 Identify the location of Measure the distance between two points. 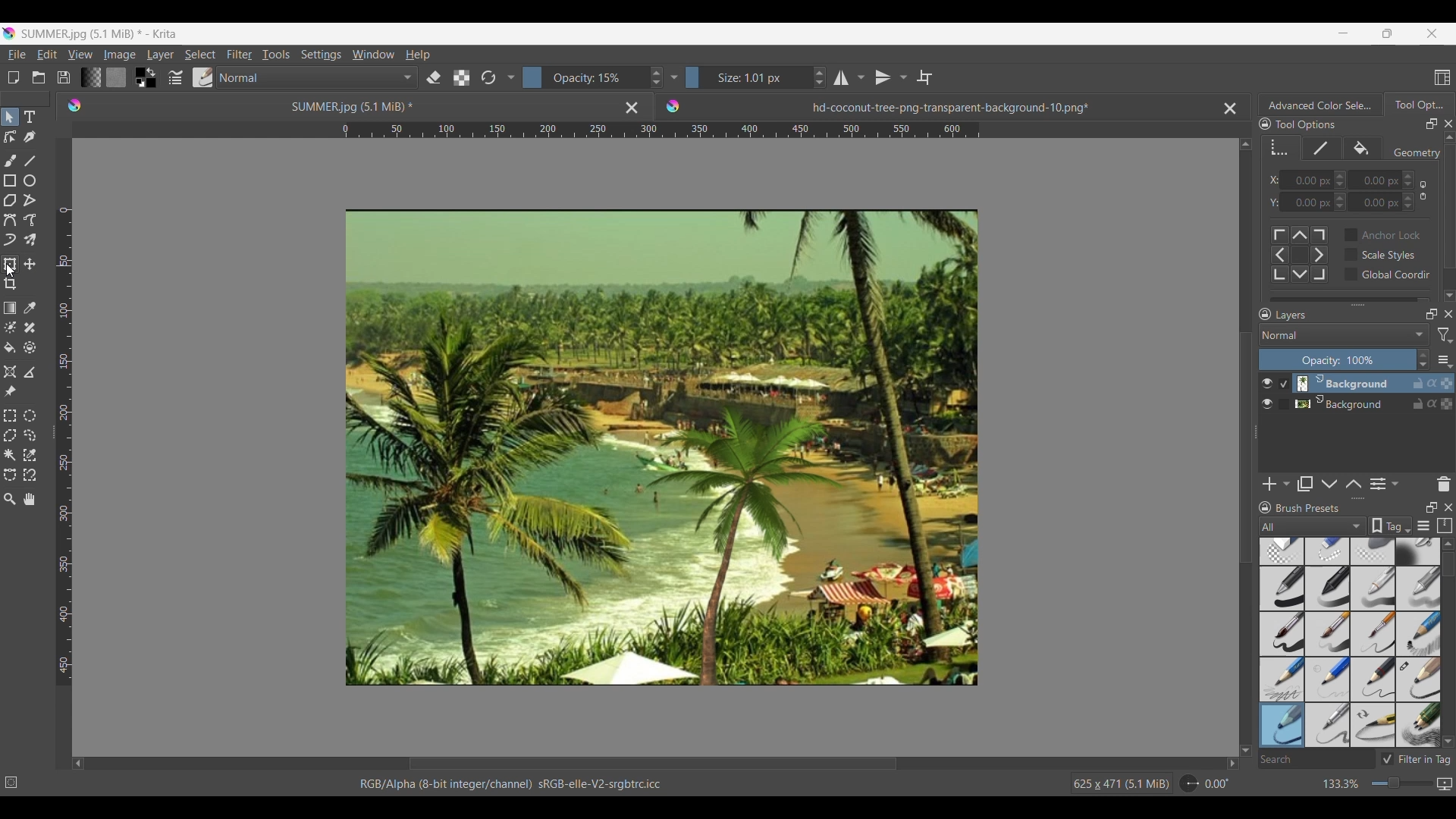
(30, 372).